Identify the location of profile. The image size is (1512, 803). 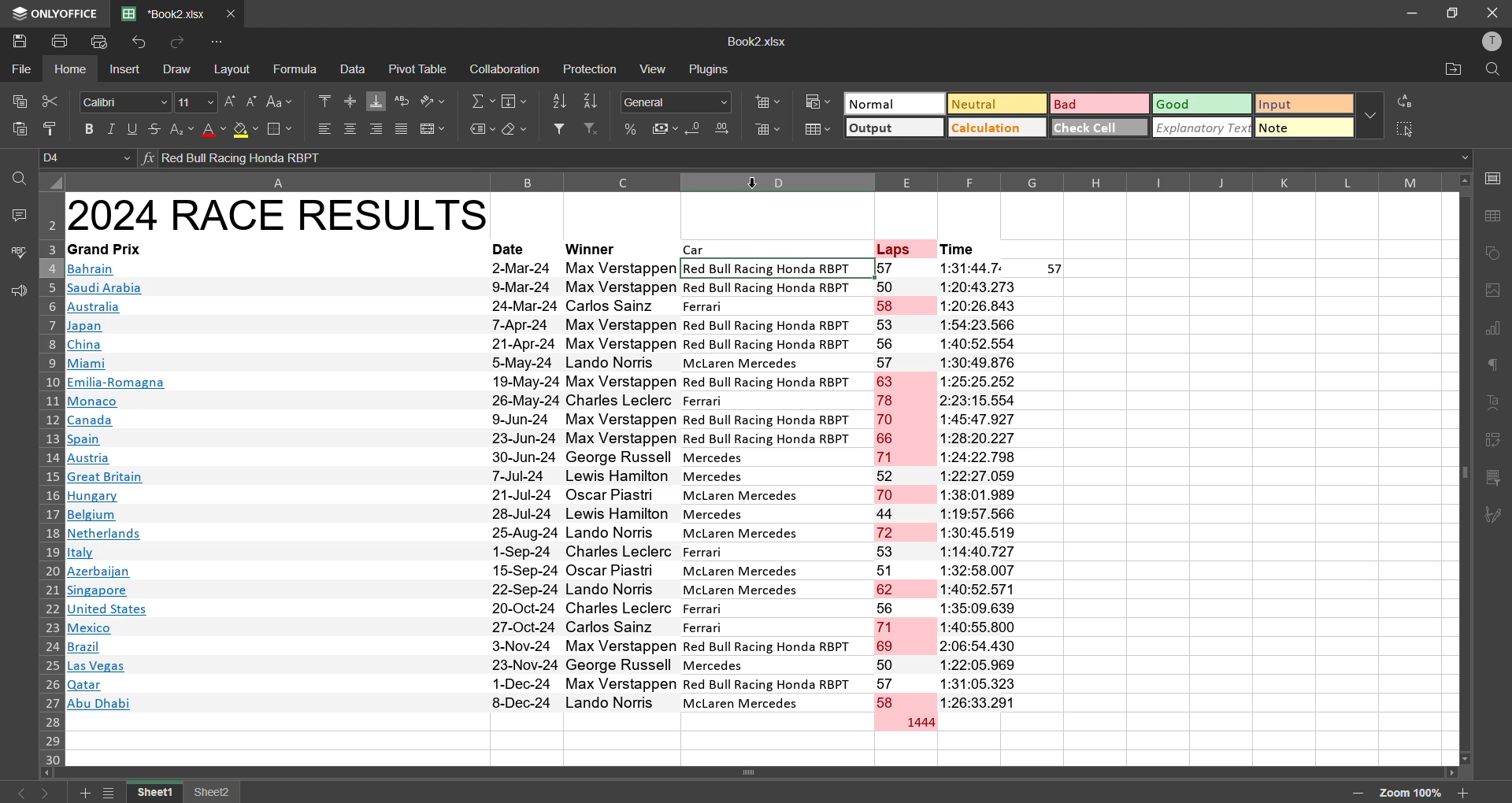
(1488, 41).